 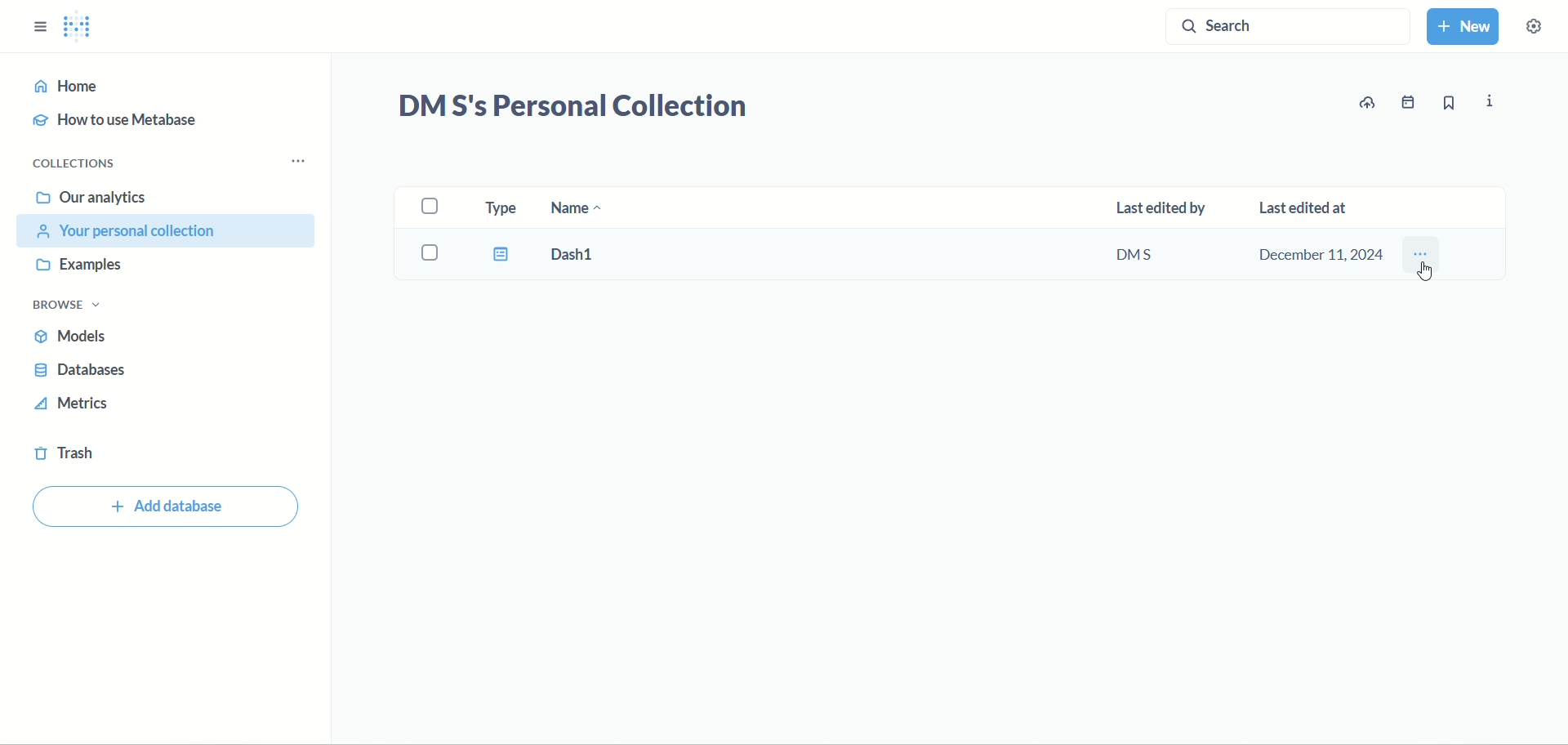 What do you see at coordinates (122, 123) in the screenshot?
I see `how to use metabase` at bounding box center [122, 123].